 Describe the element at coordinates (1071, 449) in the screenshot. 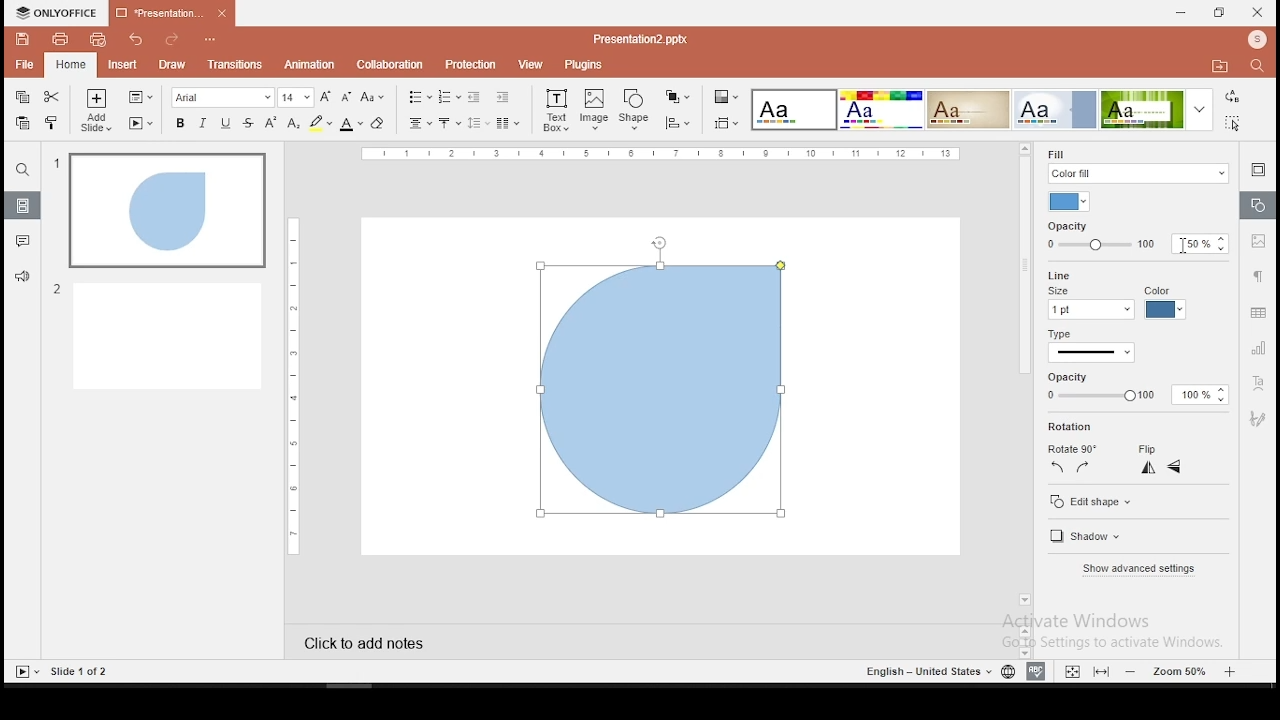

I see `rotate 90` at that location.